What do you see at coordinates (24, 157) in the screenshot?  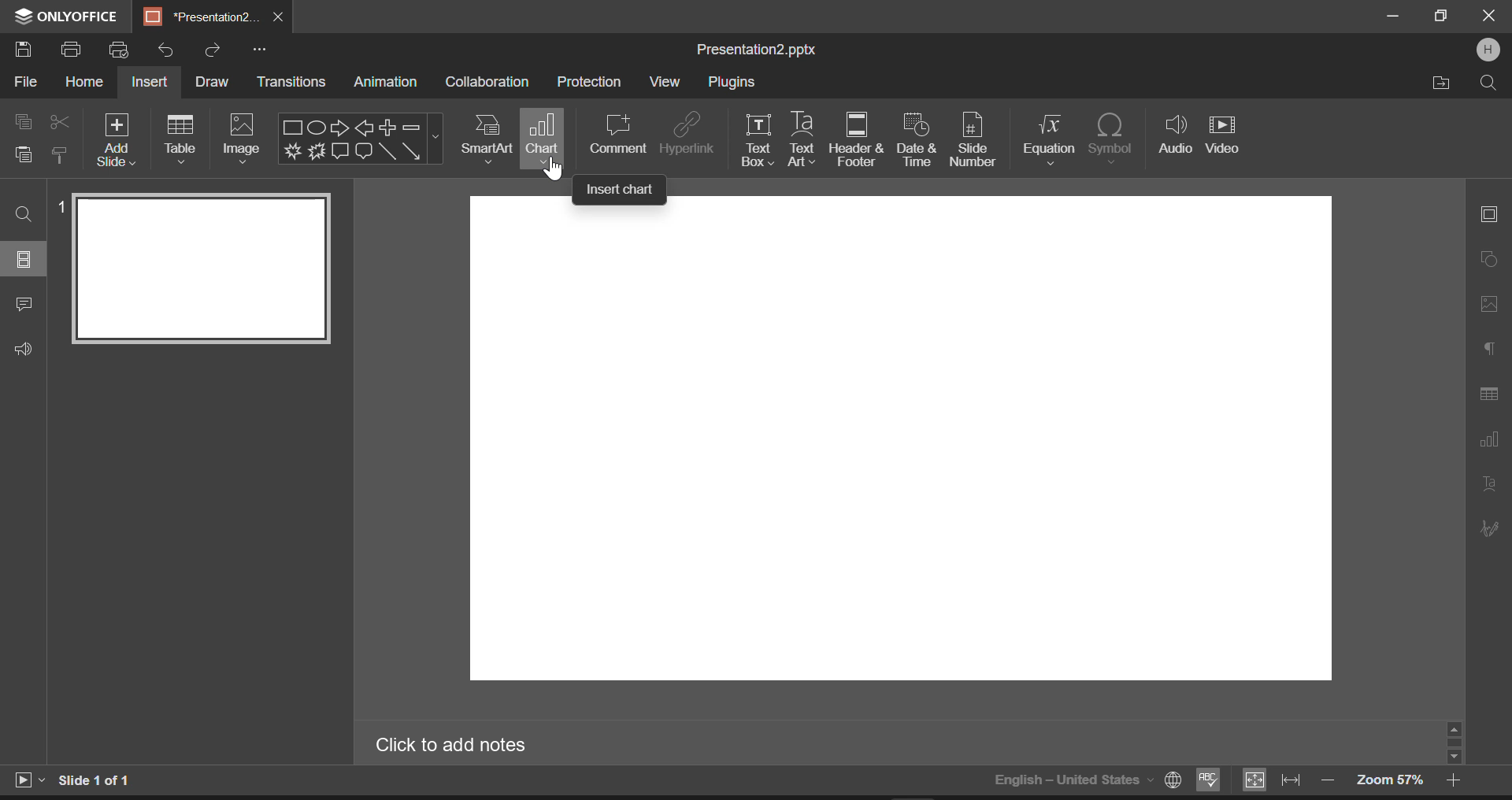 I see `Paste` at bounding box center [24, 157].